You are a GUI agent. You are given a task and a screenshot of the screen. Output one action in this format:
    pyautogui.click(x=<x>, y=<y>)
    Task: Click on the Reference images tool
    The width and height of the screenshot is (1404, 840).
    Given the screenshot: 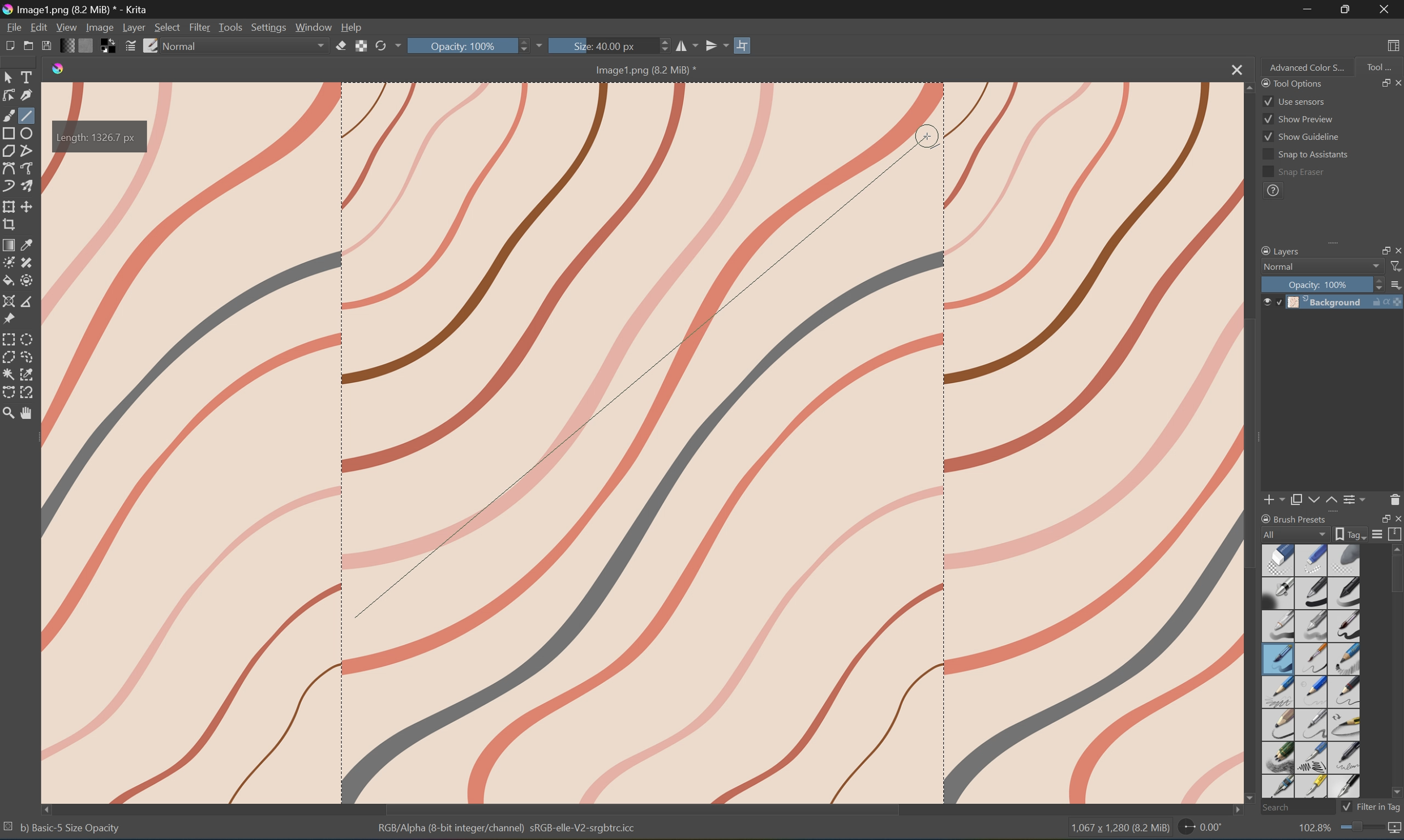 What is the action you would take?
    pyautogui.click(x=9, y=320)
    